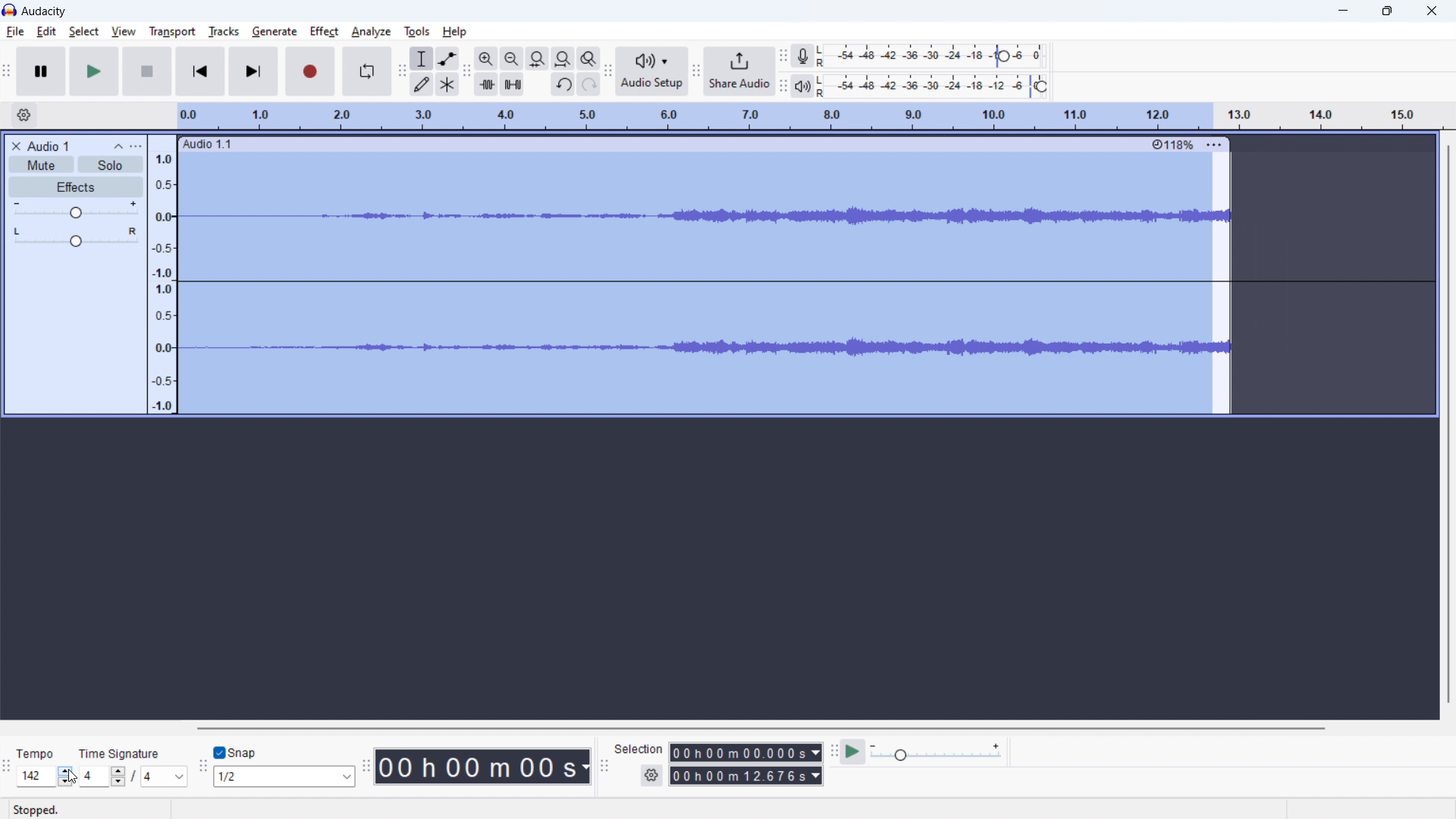  What do you see at coordinates (696, 71) in the screenshot?
I see `share audio toolbar` at bounding box center [696, 71].